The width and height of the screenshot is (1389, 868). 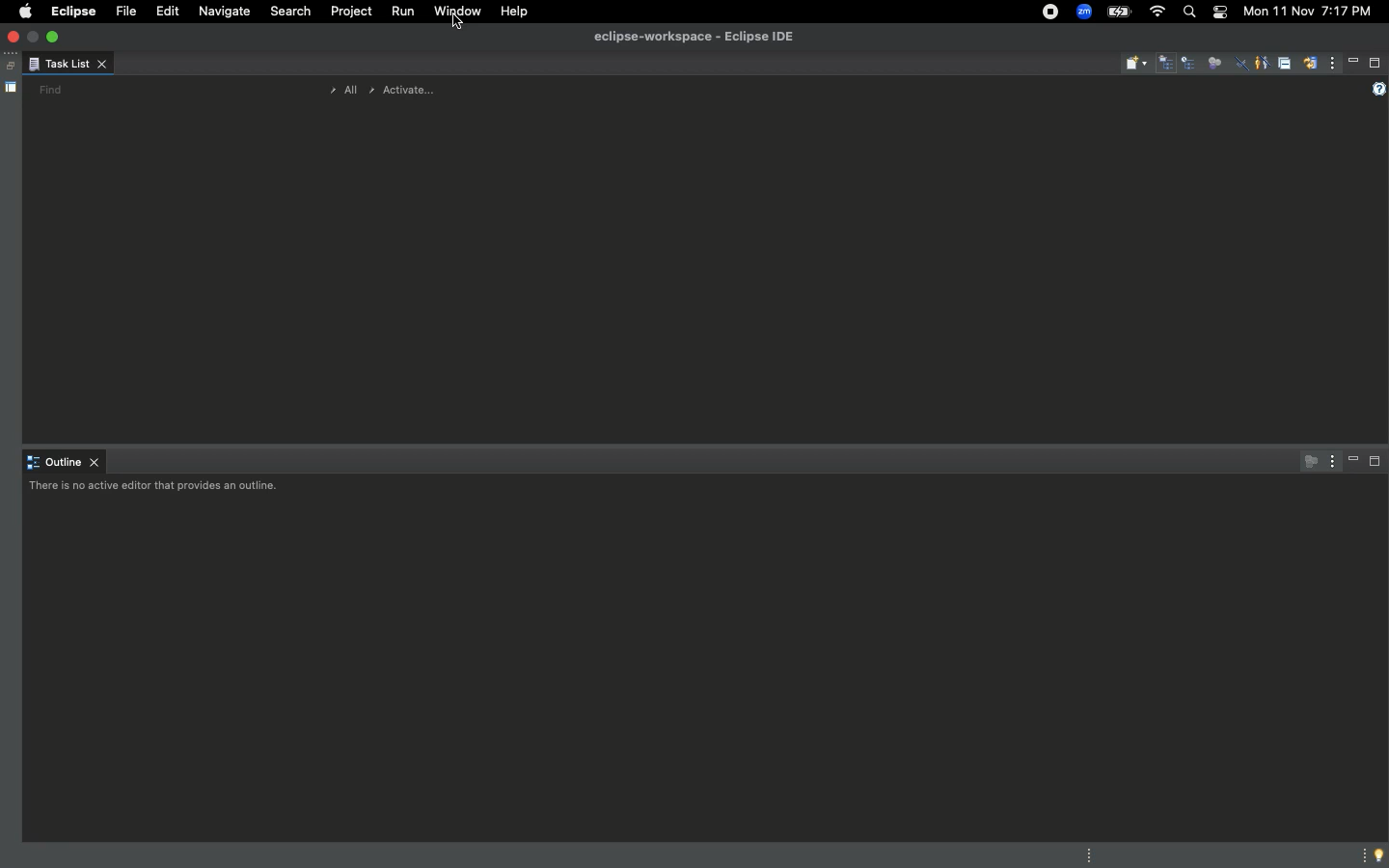 I want to click on Window, so click(x=456, y=12).